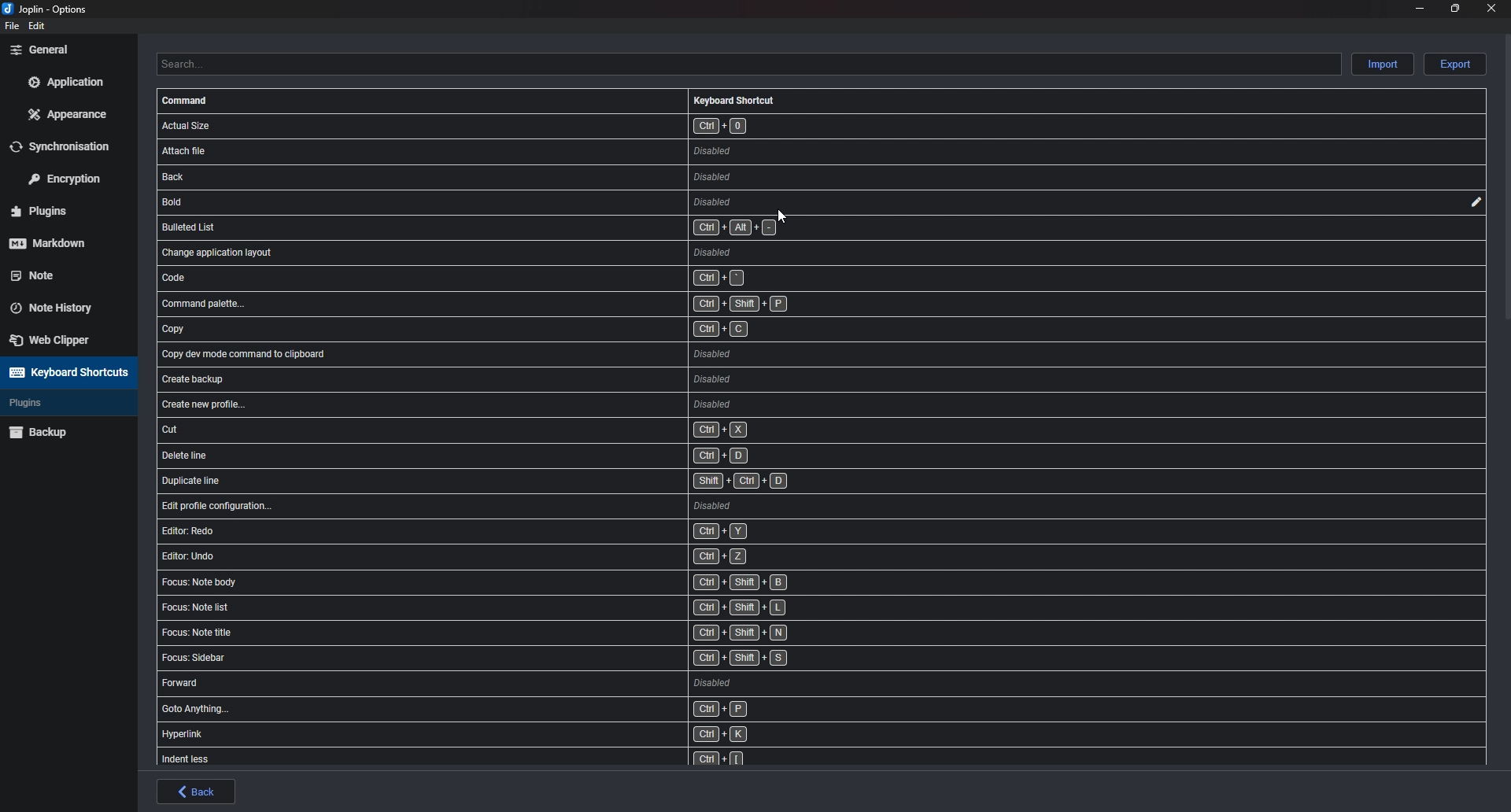 Image resolution: width=1511 pixels, height=812 pixels. What do you see at coordinates (524, 556) in the screenshot?
I see `shortcut` at bounding box center [524, 556].